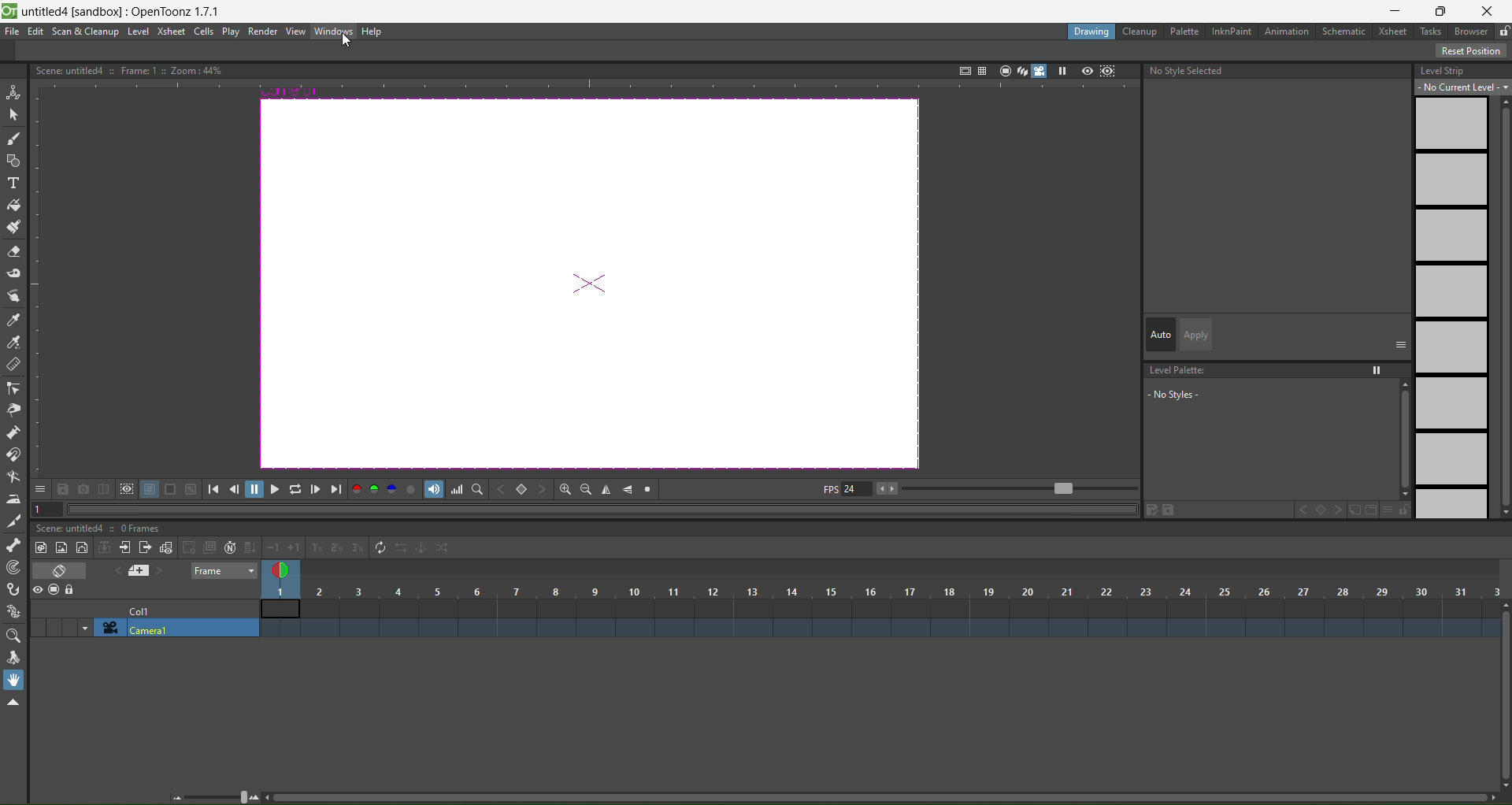 This screenshot has width=1512, height=805. What do you see at coordinates (1232, 30) in the screenshot?
I see `inknpaint` at bounding box center [1232, 30].